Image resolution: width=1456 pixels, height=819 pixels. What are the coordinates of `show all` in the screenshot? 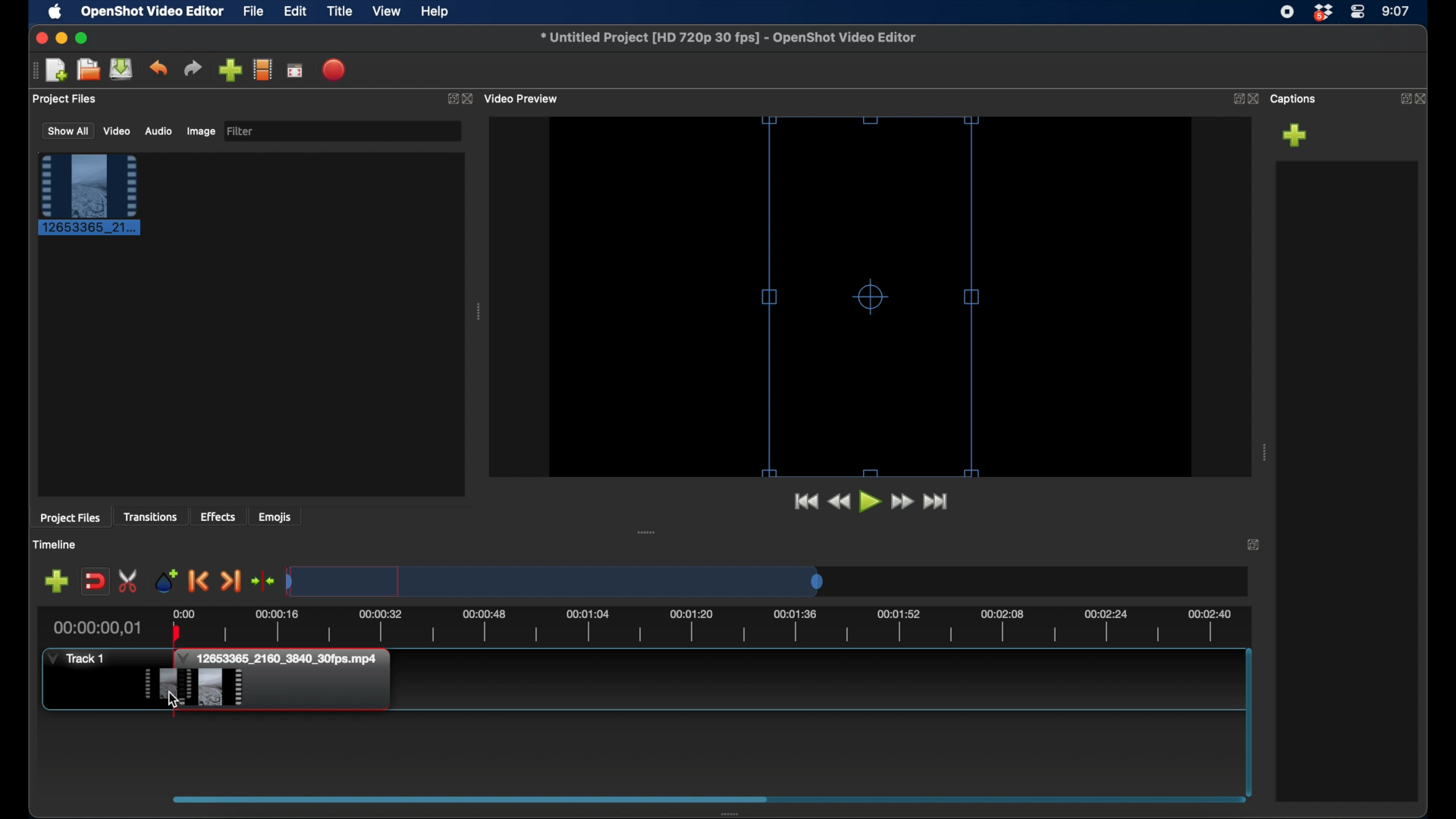 It's located at (66, 132).